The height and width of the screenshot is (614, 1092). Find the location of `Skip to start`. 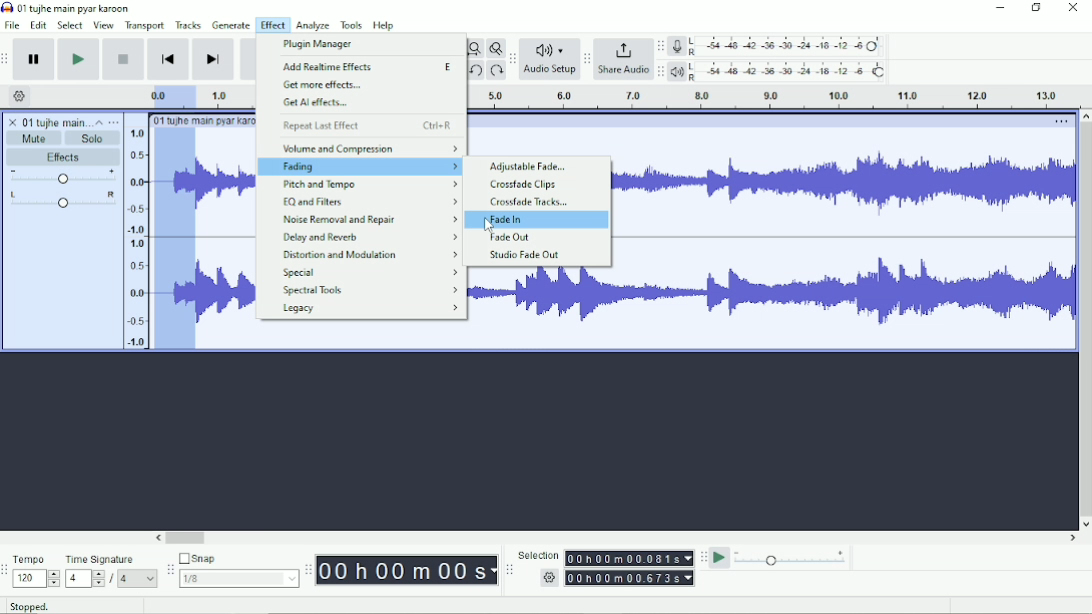

Skip to start is located at coordinates (168, 60).